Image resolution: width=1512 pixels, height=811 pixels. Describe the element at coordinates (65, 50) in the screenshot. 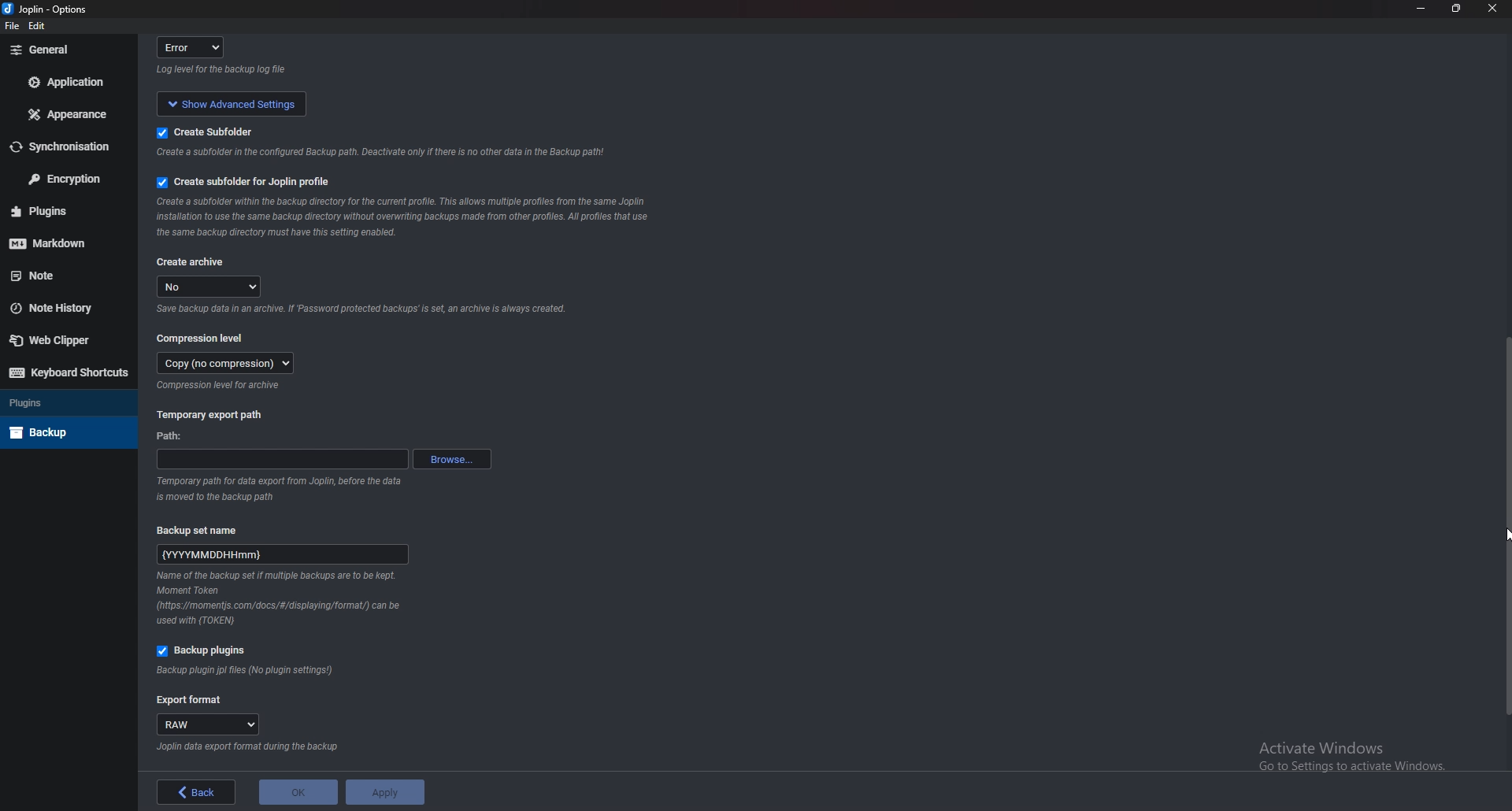

I see `General` at that location.